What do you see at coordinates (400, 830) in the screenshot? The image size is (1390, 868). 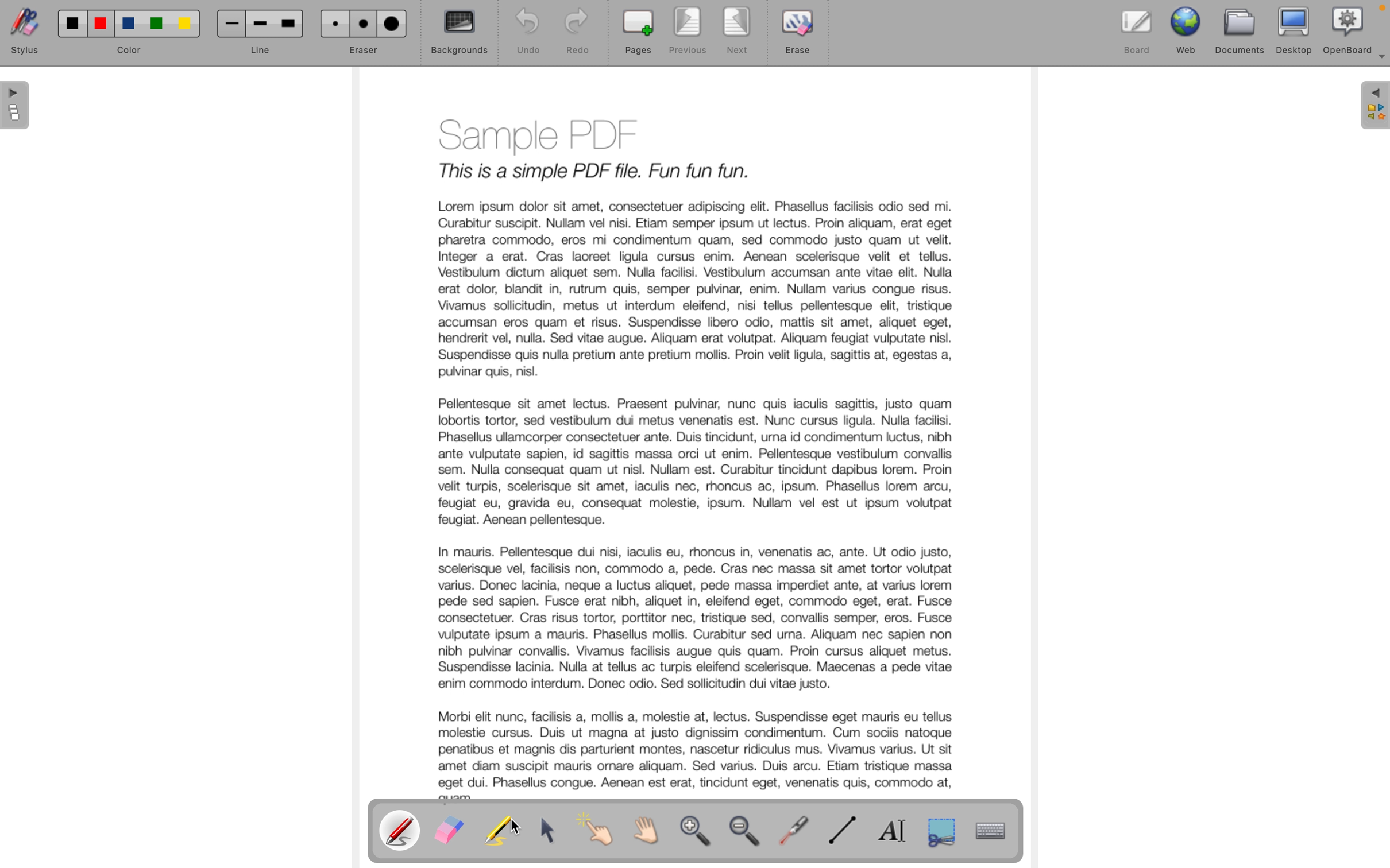 I see `pen` at bounding box center [400, 830].